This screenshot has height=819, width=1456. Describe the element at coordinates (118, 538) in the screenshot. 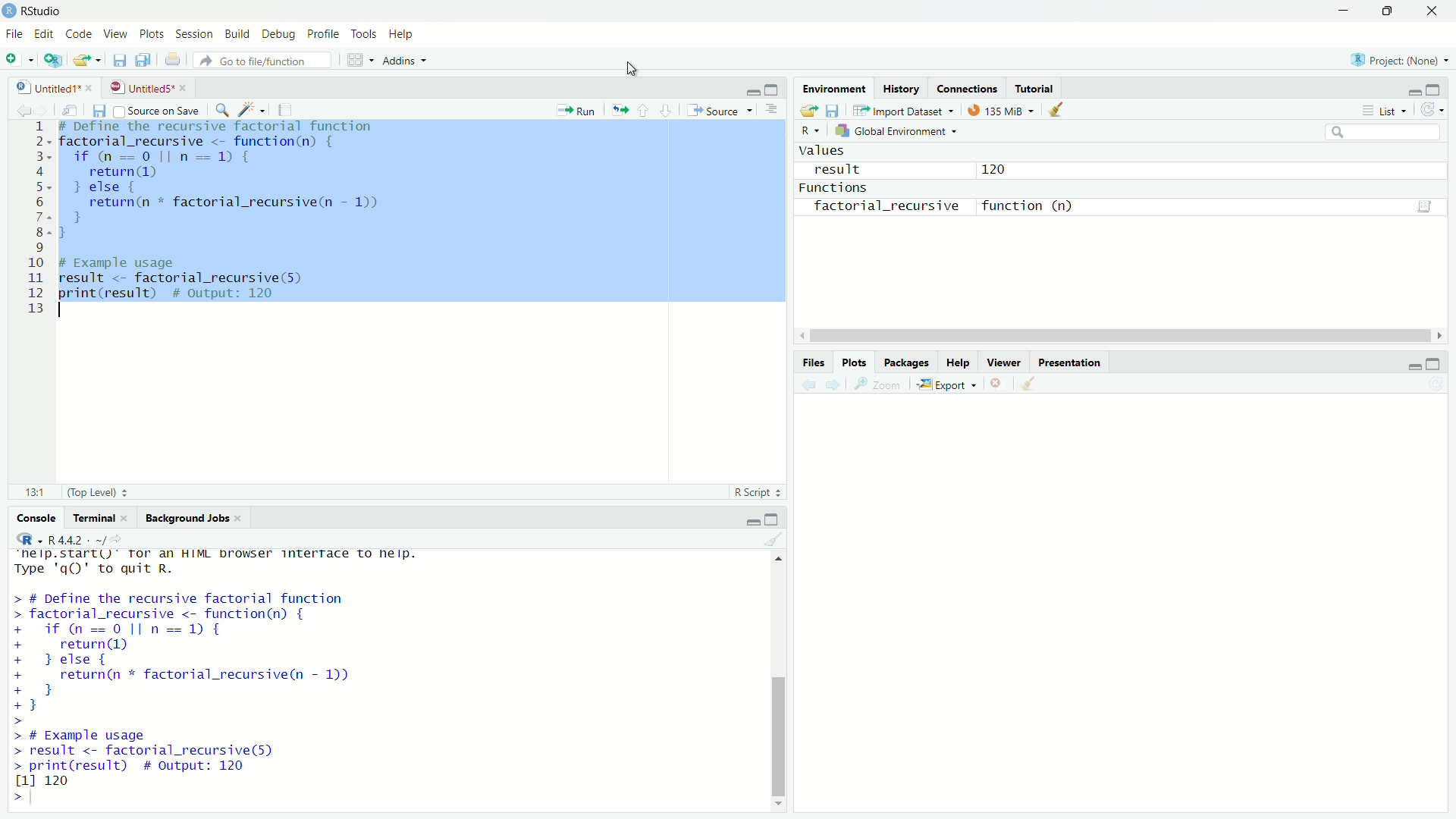

I see `View the current working directory` at that location.